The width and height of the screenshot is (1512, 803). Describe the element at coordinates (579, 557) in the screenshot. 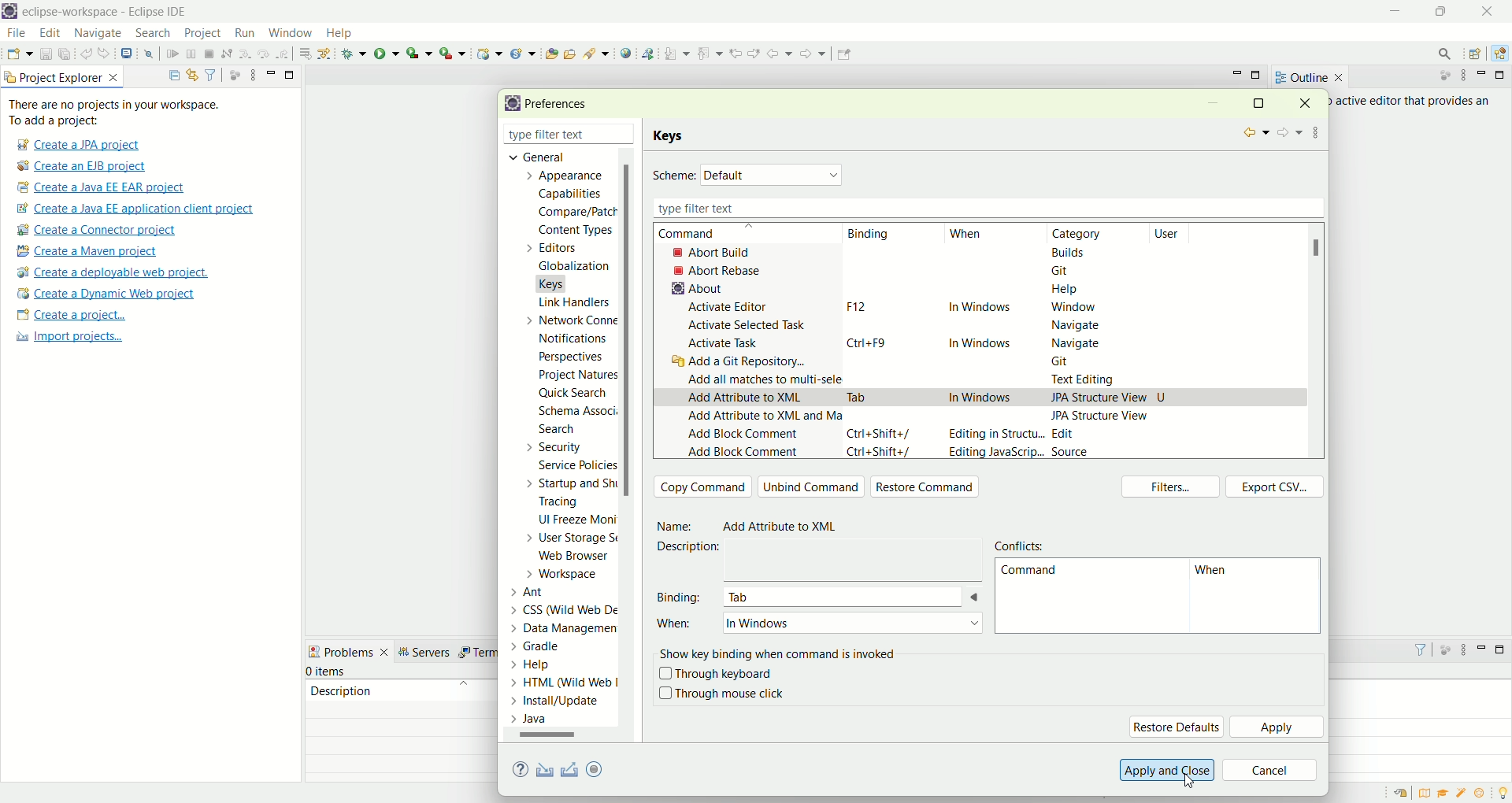

I see `web browser` at that location.